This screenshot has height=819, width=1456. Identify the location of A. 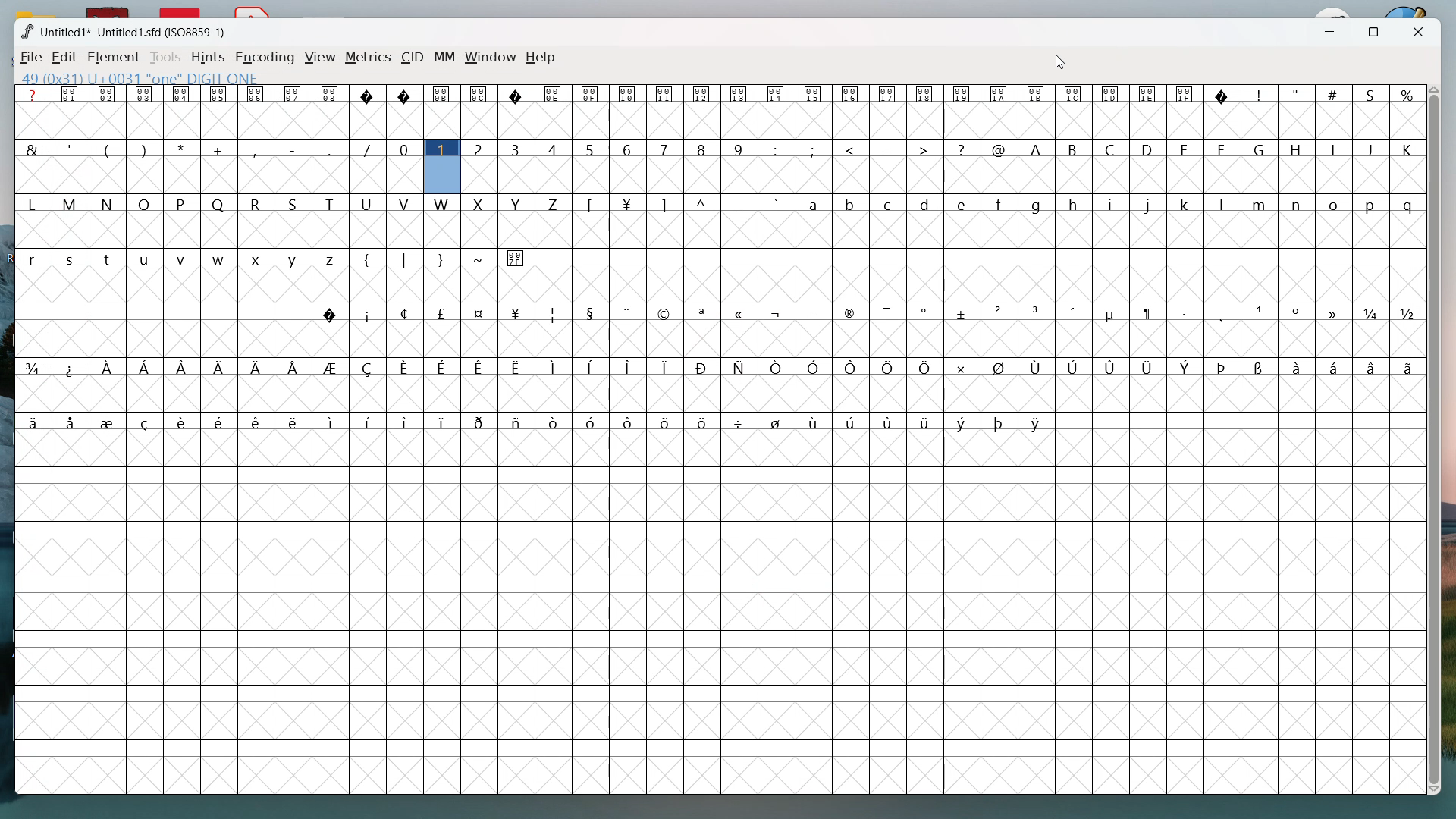
(1036, 149).